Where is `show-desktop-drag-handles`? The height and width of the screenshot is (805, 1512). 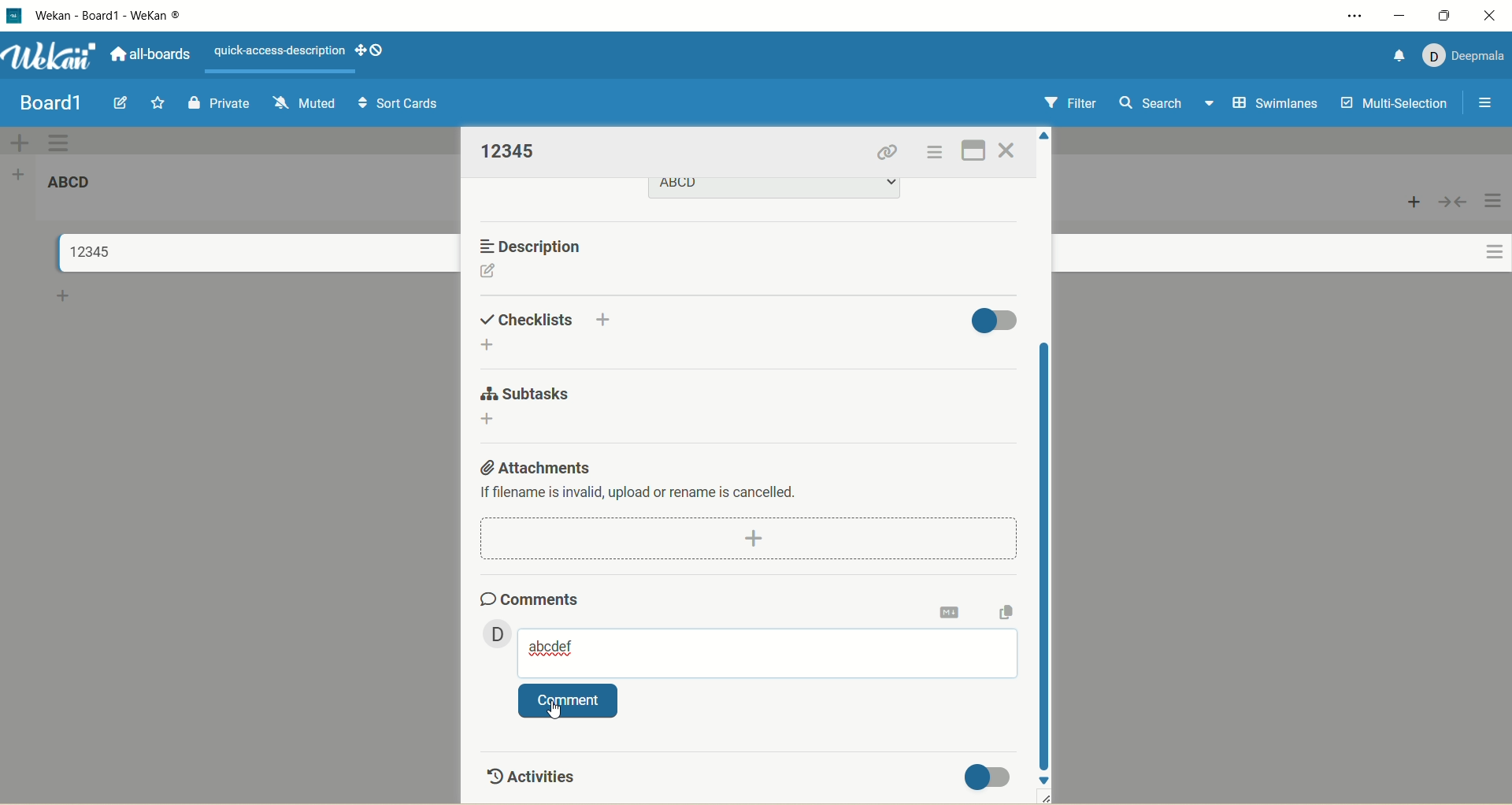 show-desktop-drag-handles is located at coordinates (380, 50).